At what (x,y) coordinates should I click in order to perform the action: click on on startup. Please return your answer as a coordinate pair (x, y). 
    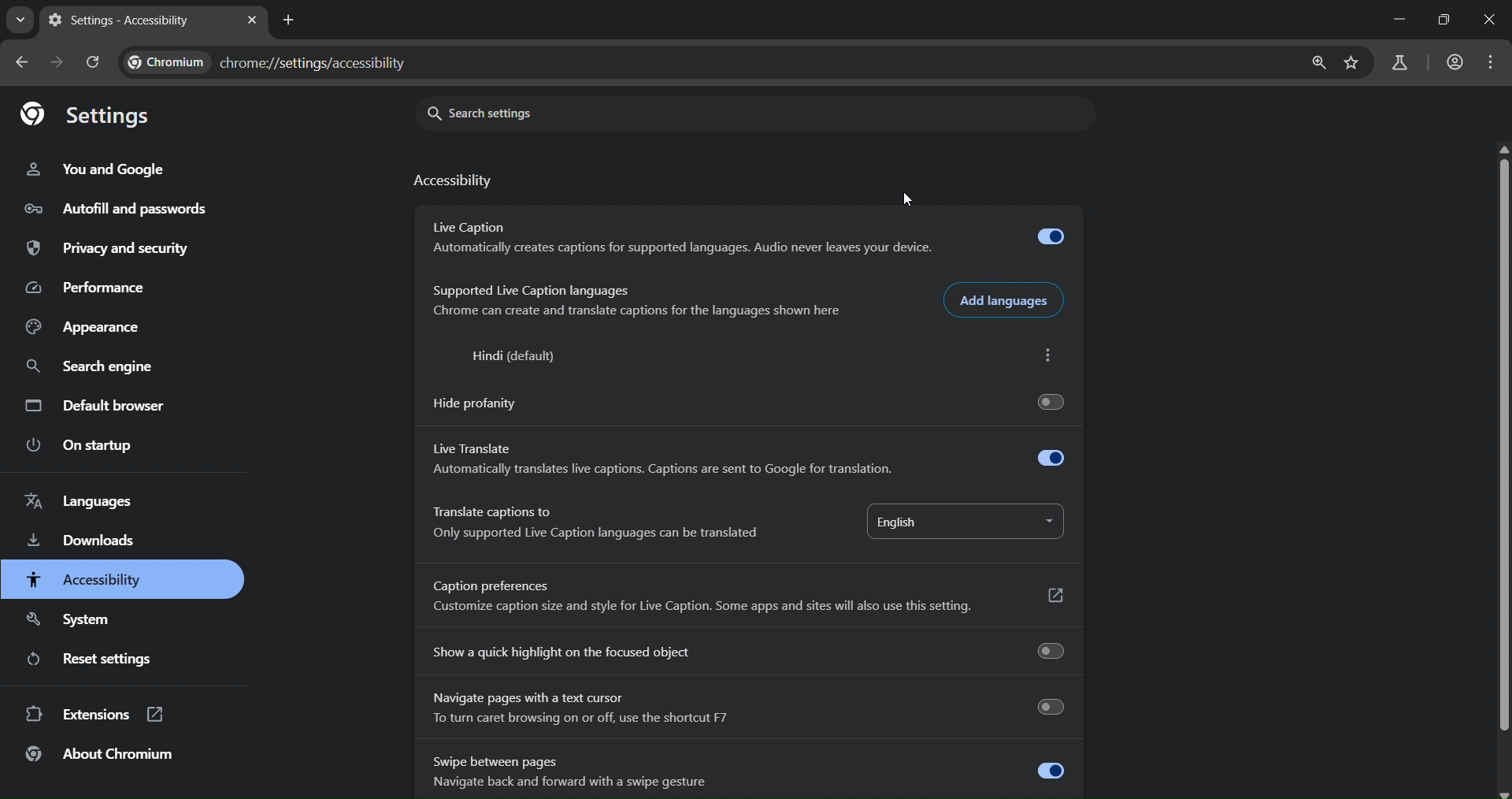
    Looking at the image, I should click on (81, 444).